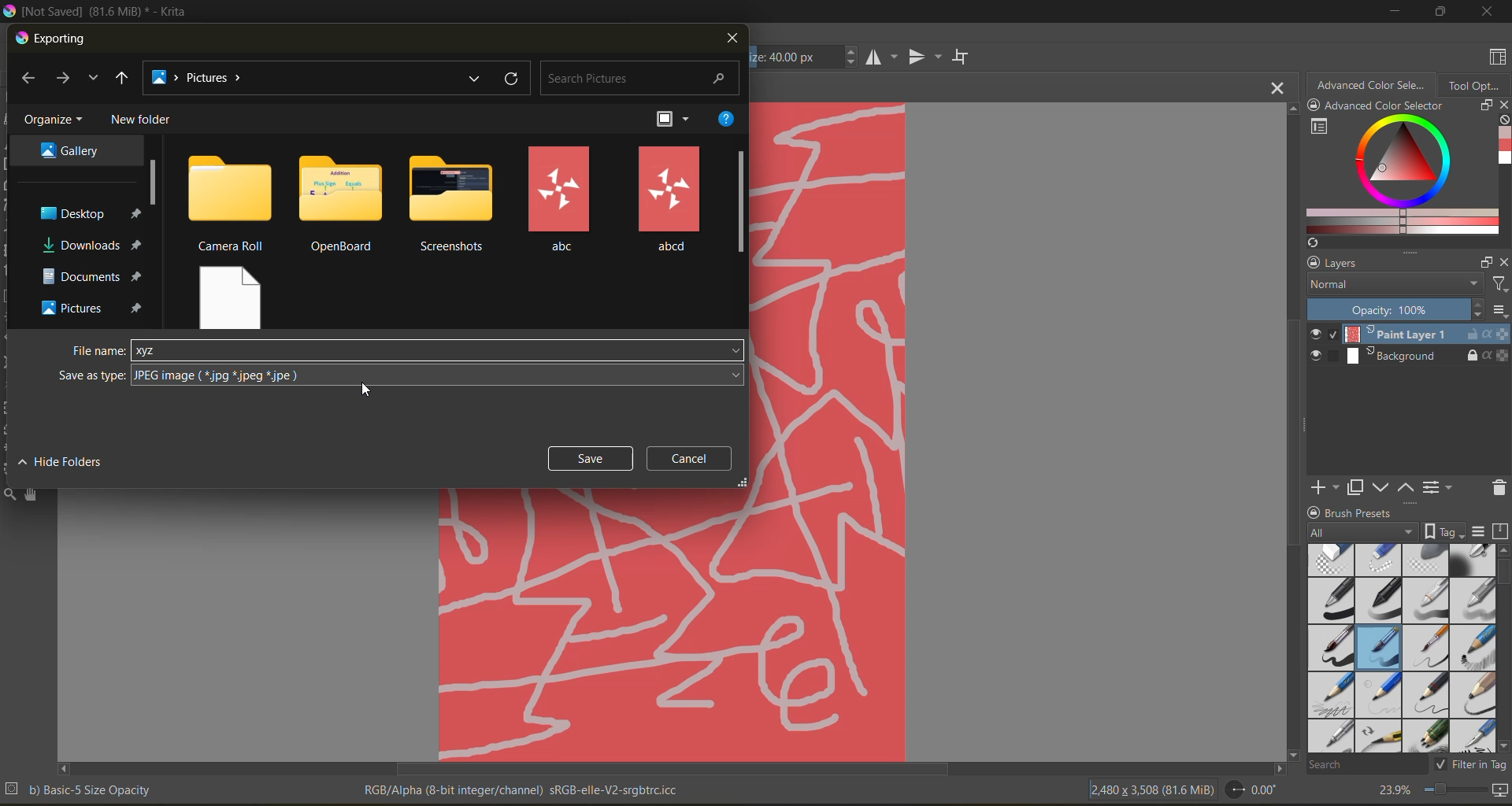 The height and width of the screenshot is (806, 1512). Describe the element at coordinates (1503, 106) in the screenshot. I see `close` at that location.